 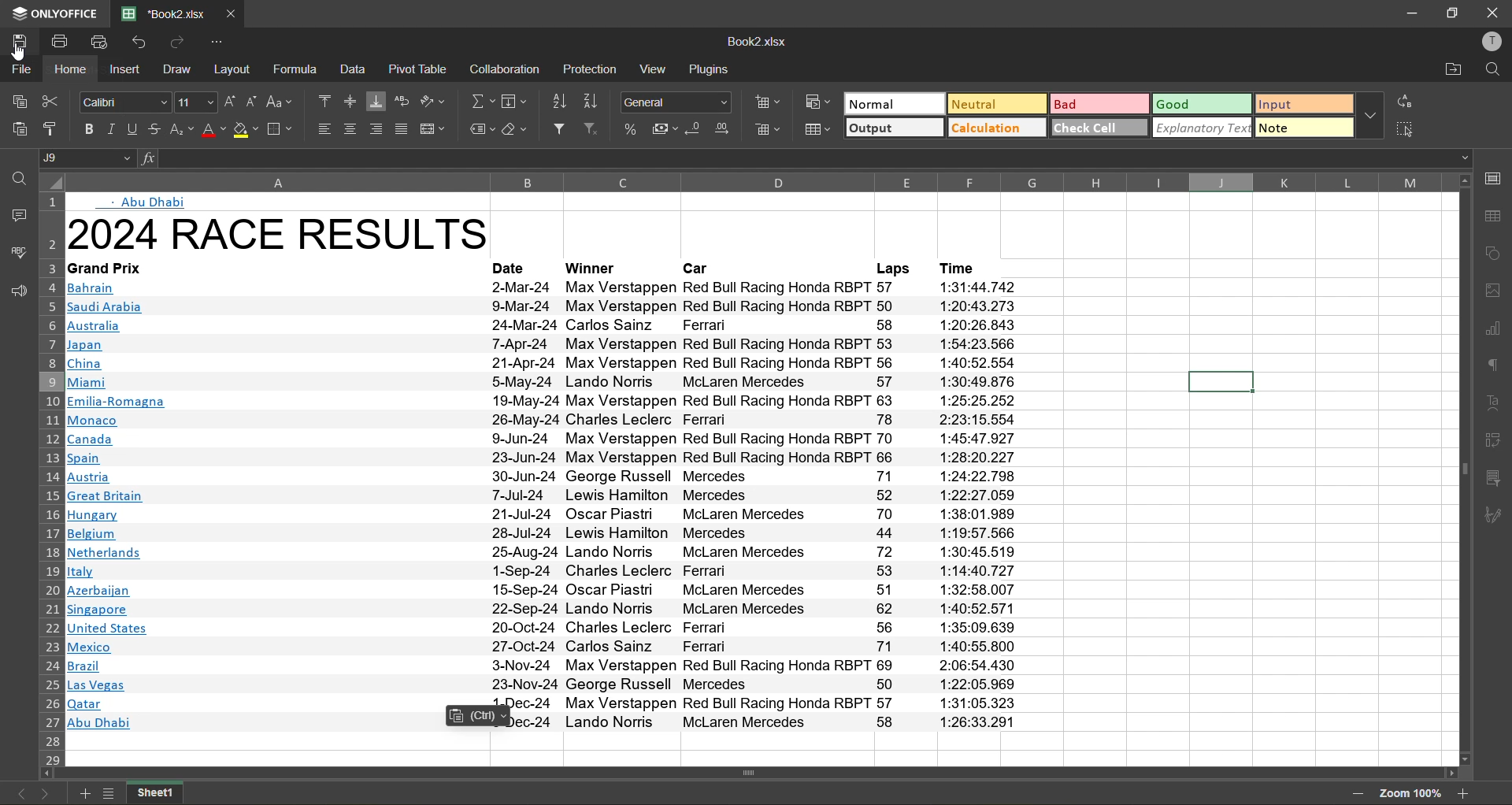 What do you see at coordinates (47, 775) in the screenshot?
I see `move left` at bounding box center [47, 775].